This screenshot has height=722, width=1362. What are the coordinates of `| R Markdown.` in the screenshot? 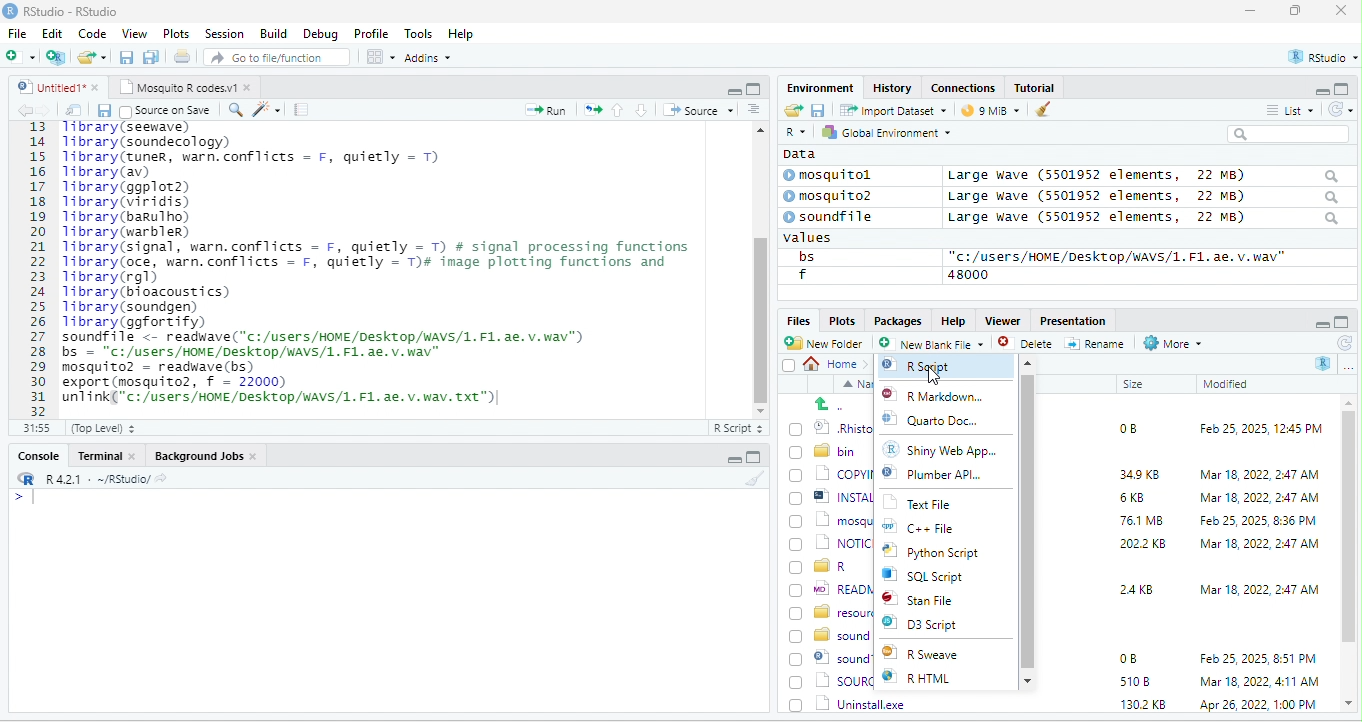 It's located at (940, 396).